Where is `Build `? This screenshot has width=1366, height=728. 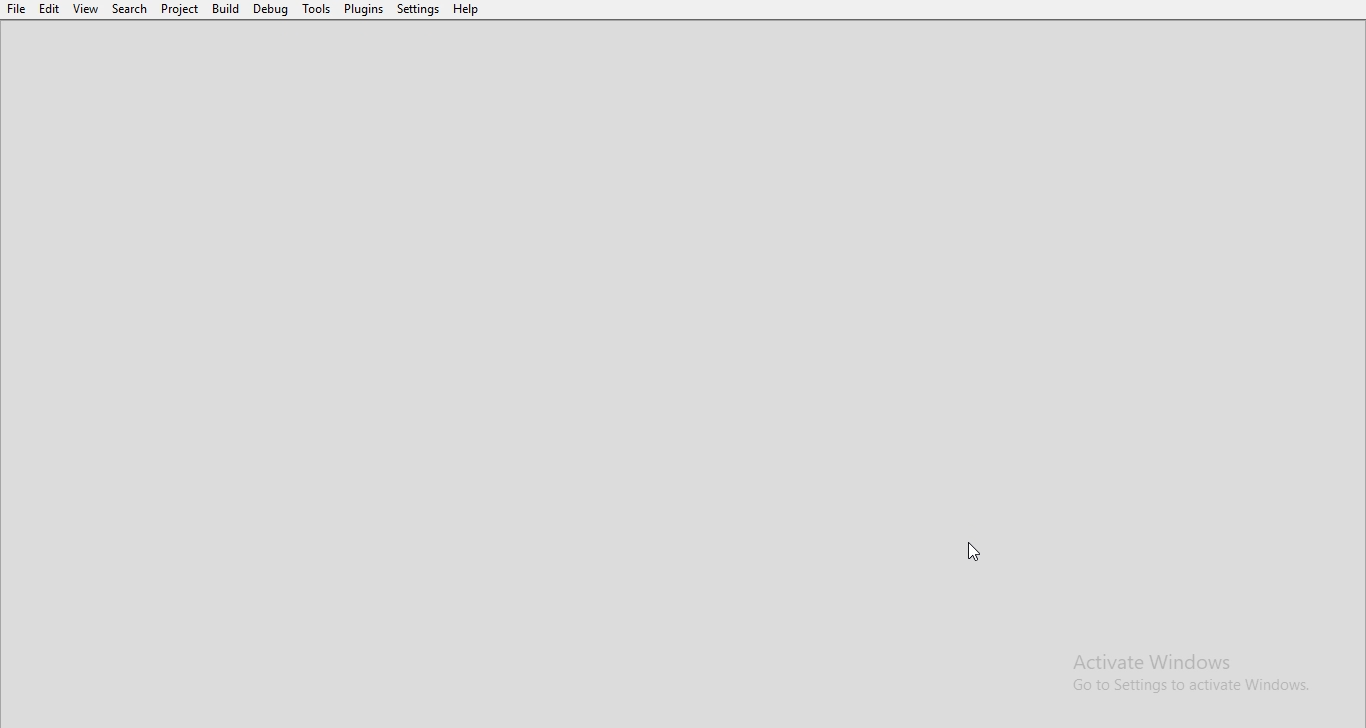 Build  is located at coordinates (225, 10).